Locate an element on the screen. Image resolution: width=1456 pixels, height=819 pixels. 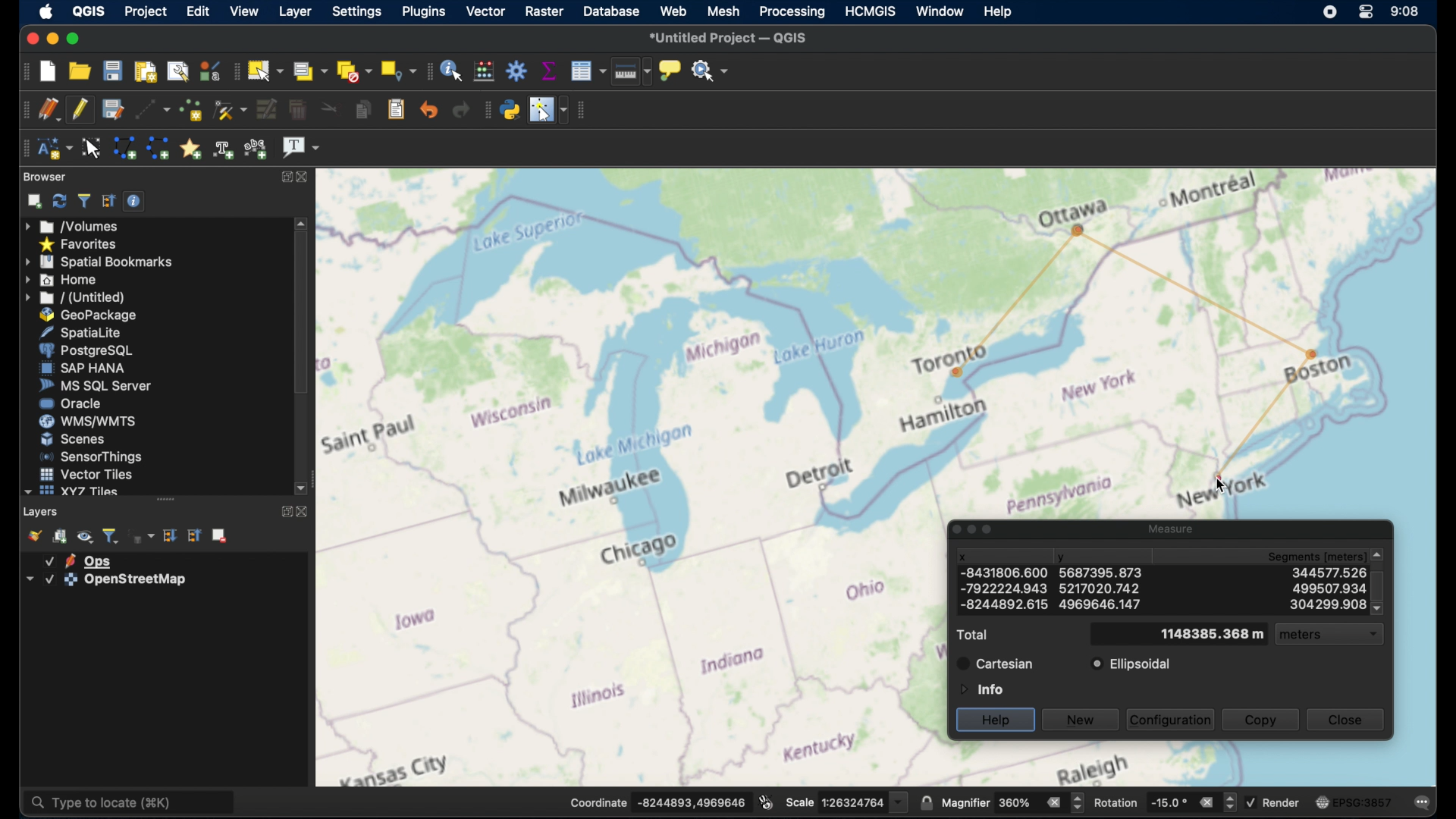
rotation is located at coordinates (1164, 801).